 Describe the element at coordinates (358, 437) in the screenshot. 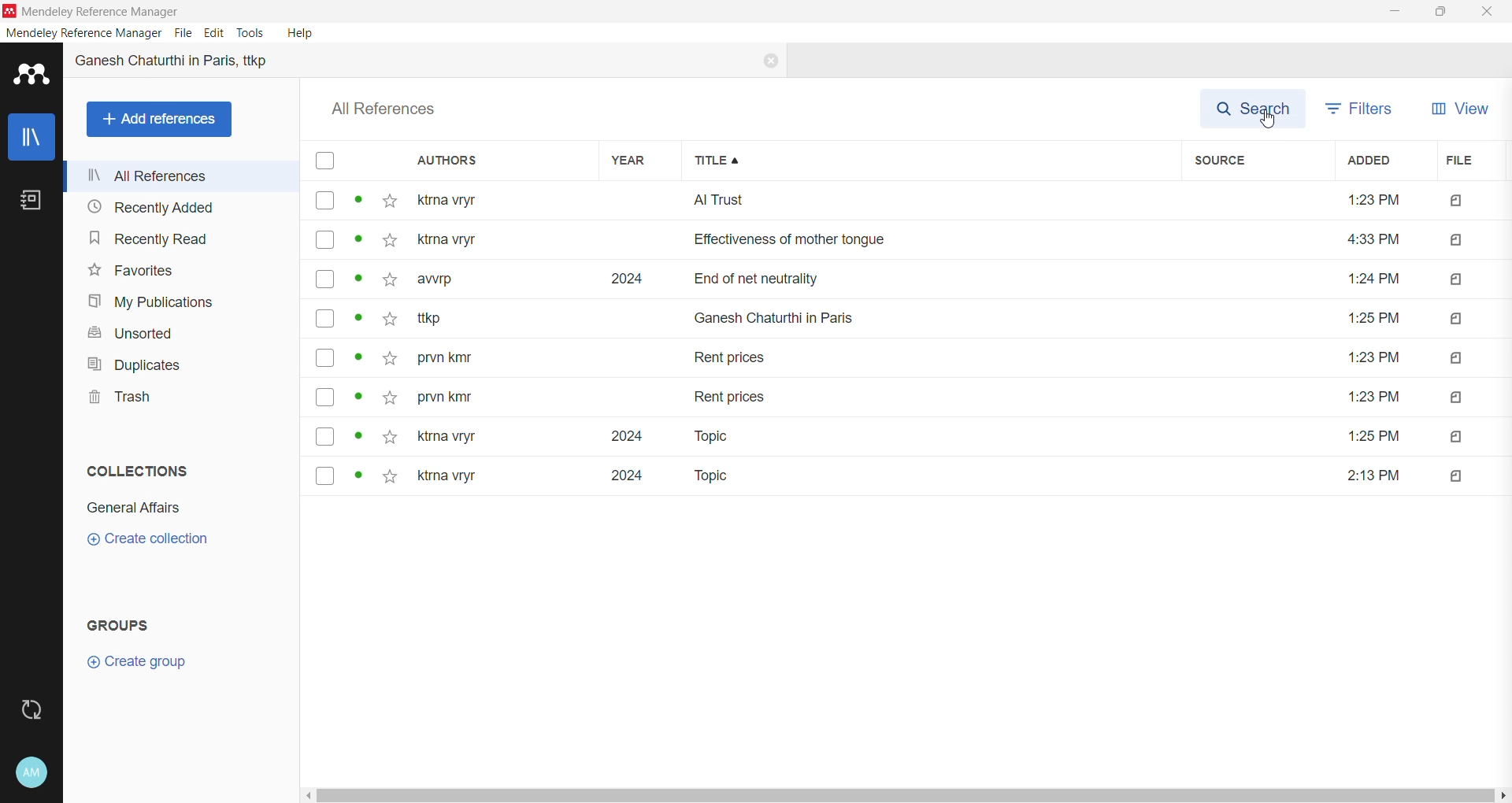

I see `view status` at that location.